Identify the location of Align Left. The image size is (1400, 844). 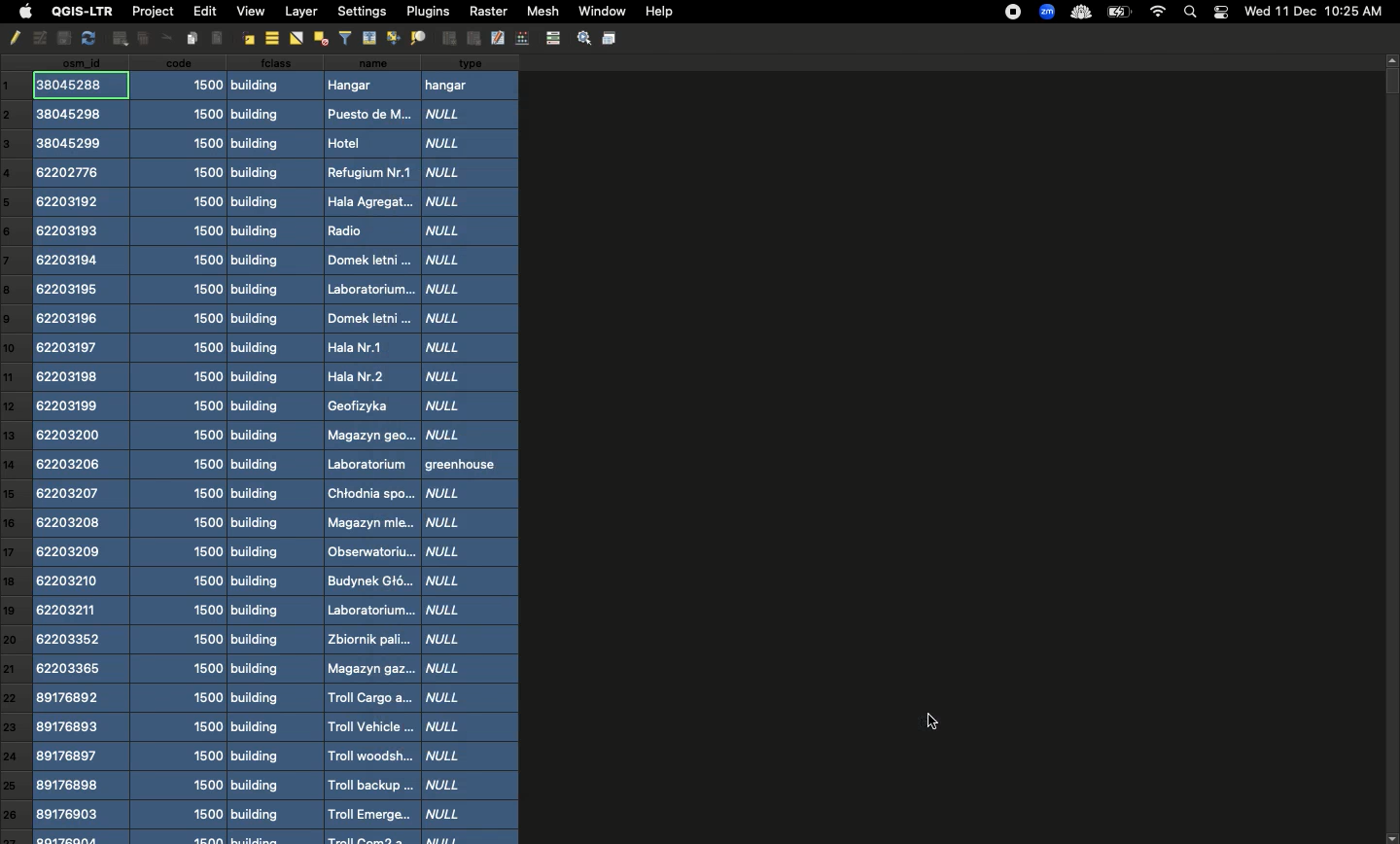
(220, 37).